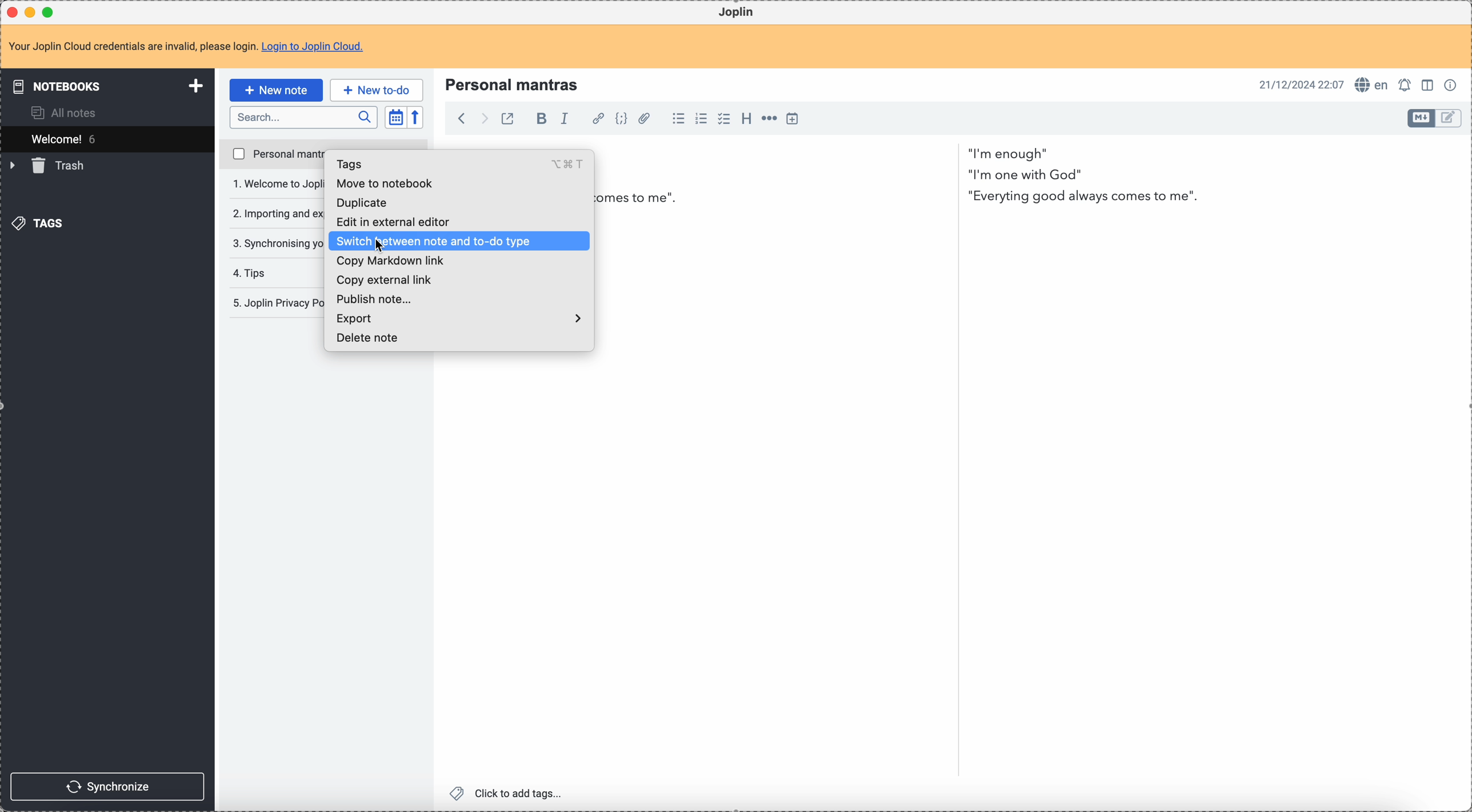  Describe the element at coordinates (1372, 84) in the screenshot. I see `spell checker` at that location.